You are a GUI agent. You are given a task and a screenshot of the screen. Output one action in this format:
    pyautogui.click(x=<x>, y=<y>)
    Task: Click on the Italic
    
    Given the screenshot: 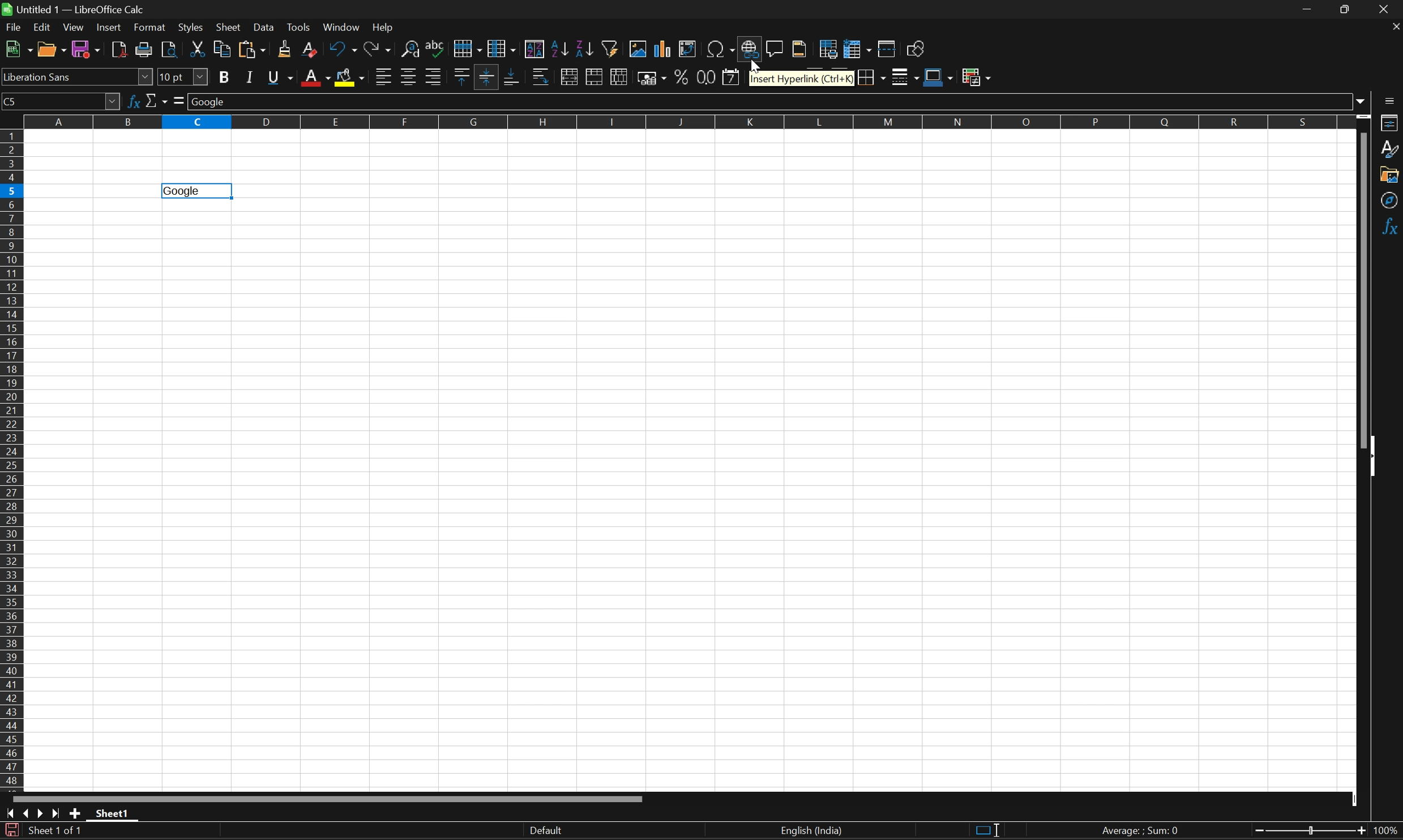 What is the action you would take?
    pyautogui.click(x=251, y=78)
    